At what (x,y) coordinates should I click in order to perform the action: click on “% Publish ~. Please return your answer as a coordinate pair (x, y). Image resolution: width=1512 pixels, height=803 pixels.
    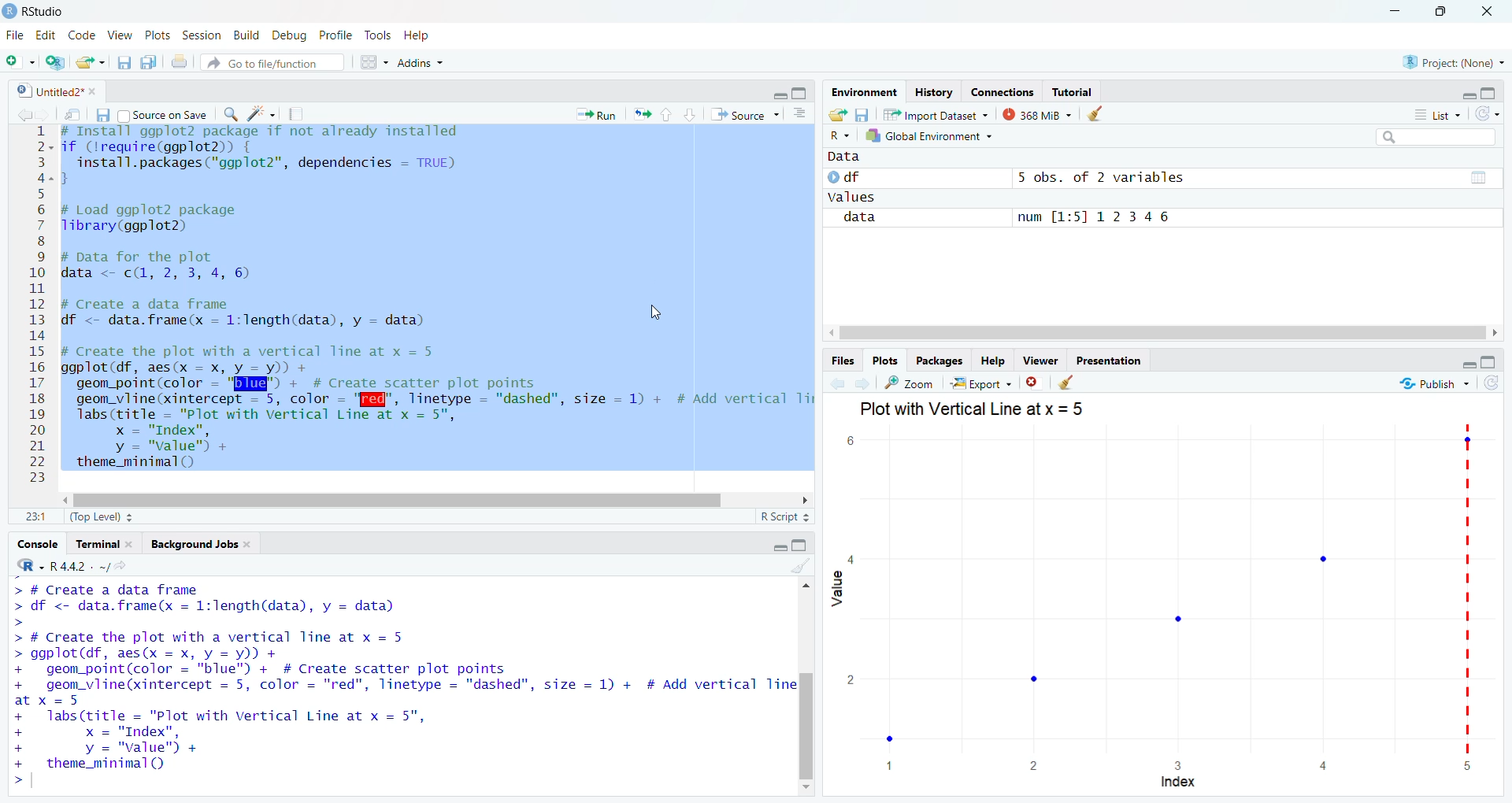
    Looking at the image, I should click on (1426, 383).